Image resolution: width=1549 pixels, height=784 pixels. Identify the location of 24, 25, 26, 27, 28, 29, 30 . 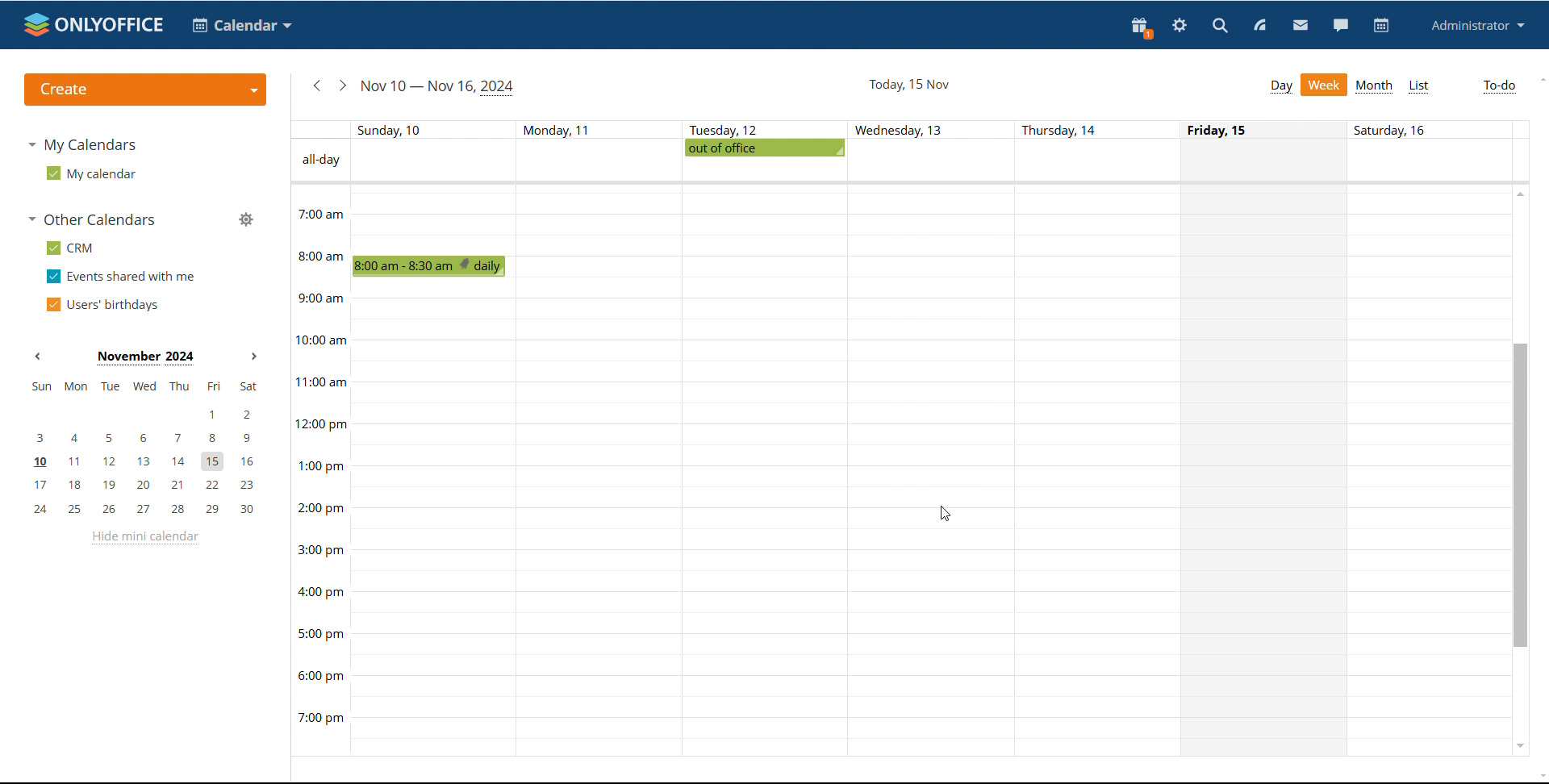
(150, 510).